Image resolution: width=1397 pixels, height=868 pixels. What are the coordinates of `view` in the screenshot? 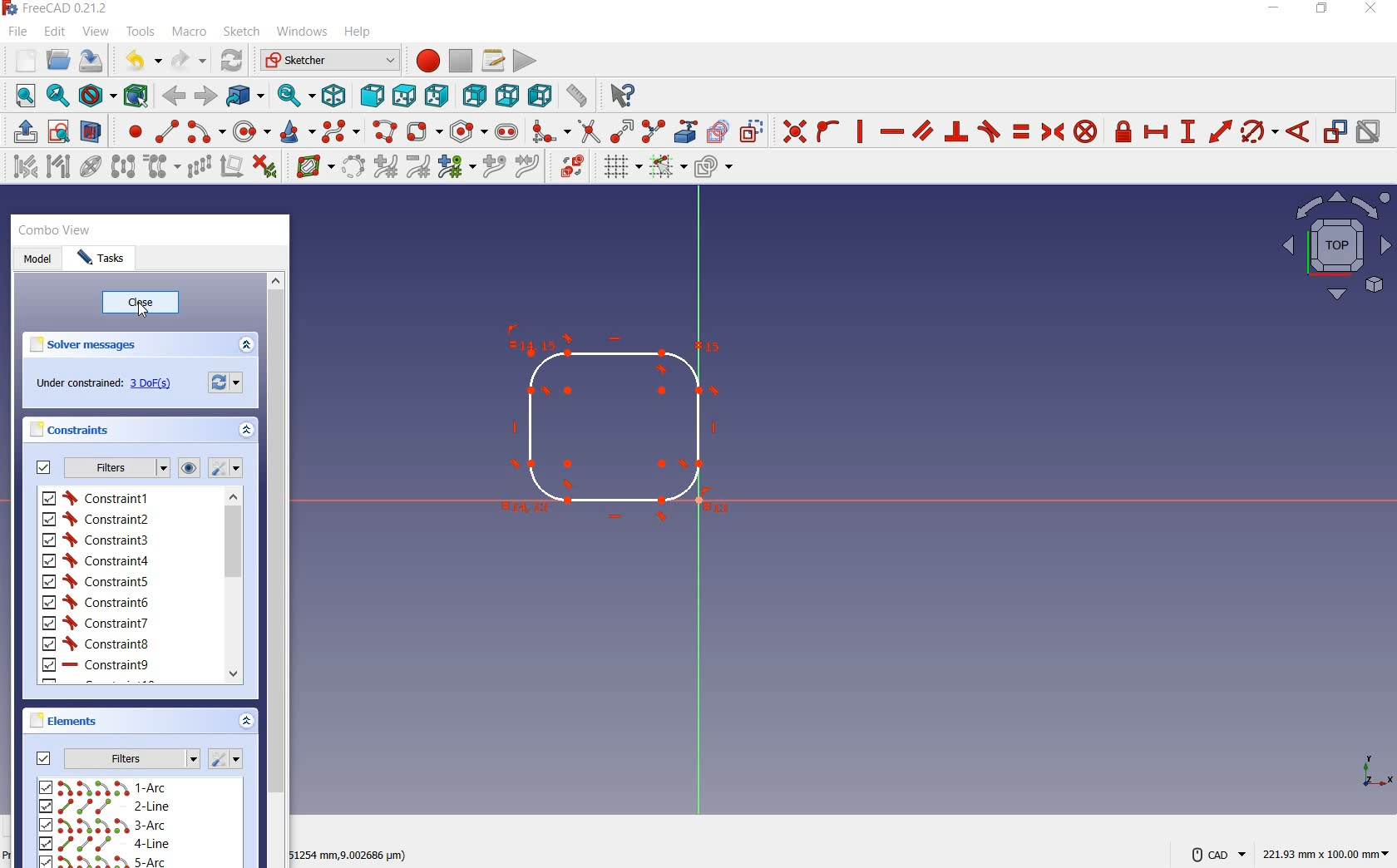 It's located at (96, 32).